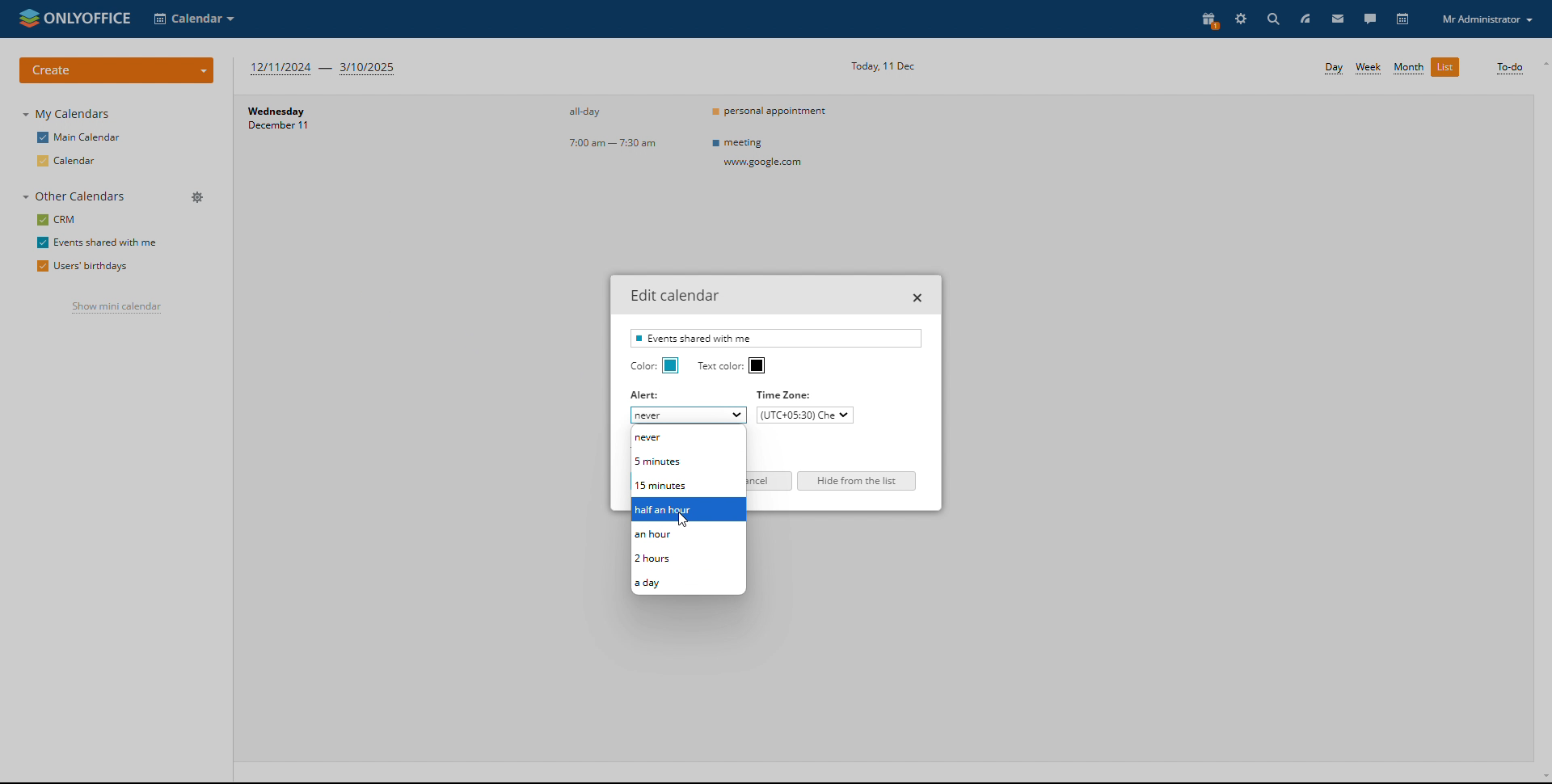  Describe the element at coordinates (66, 114) in the screenshot. I see `my calendars` at that location.